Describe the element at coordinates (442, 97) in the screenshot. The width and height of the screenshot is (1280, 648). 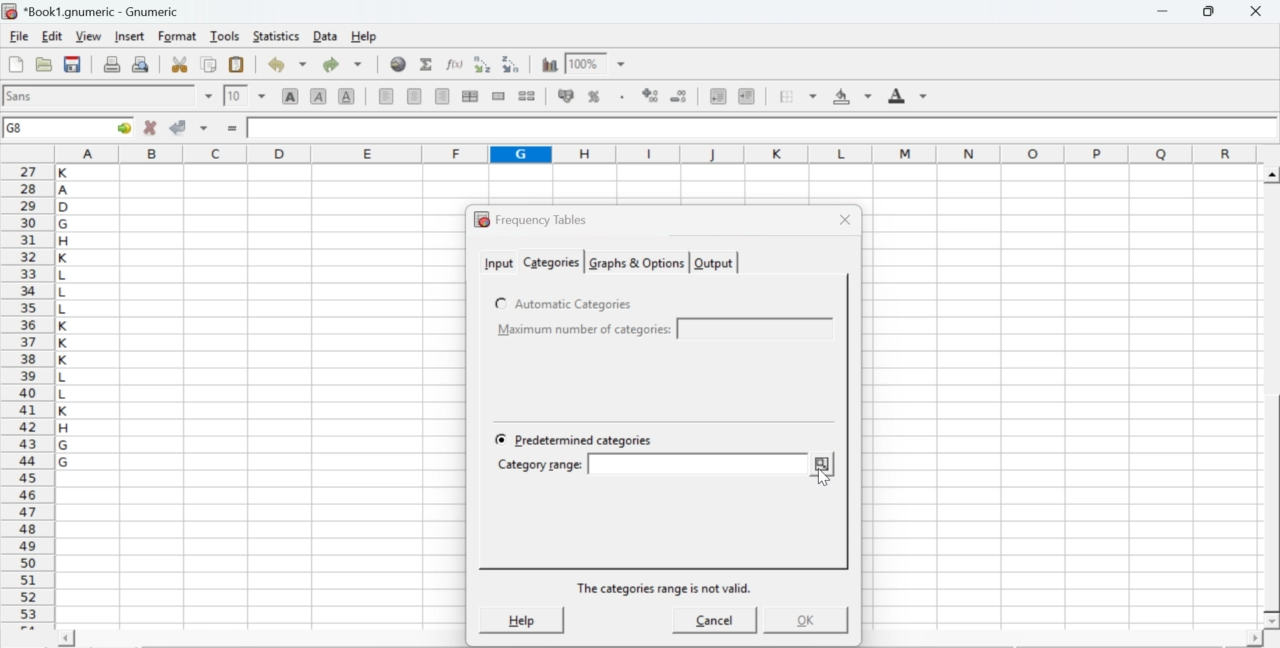
I see `align right` at that location.